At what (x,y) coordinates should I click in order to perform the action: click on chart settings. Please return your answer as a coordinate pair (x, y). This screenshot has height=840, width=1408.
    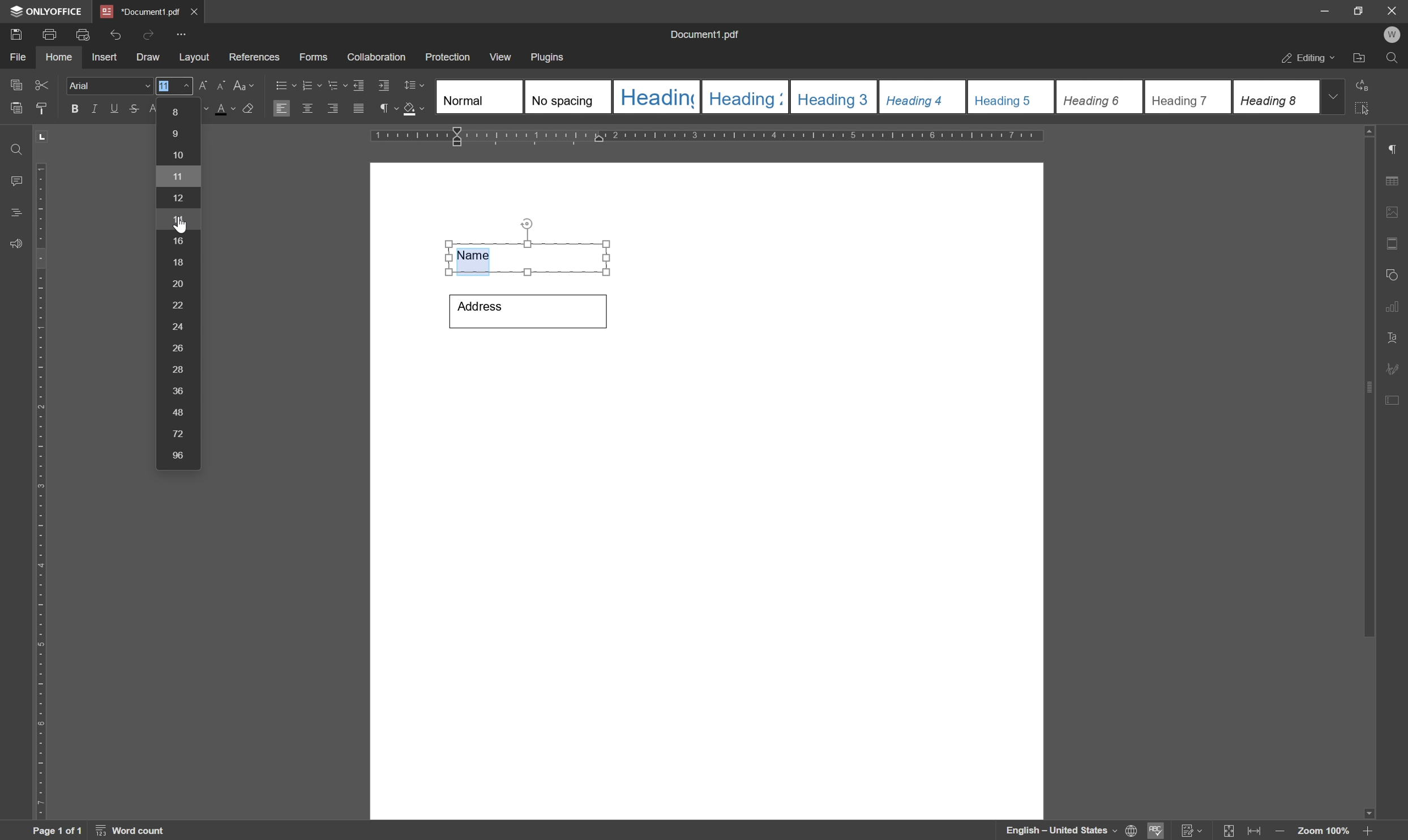
    Looking at the image, I should click on (1396, 309).